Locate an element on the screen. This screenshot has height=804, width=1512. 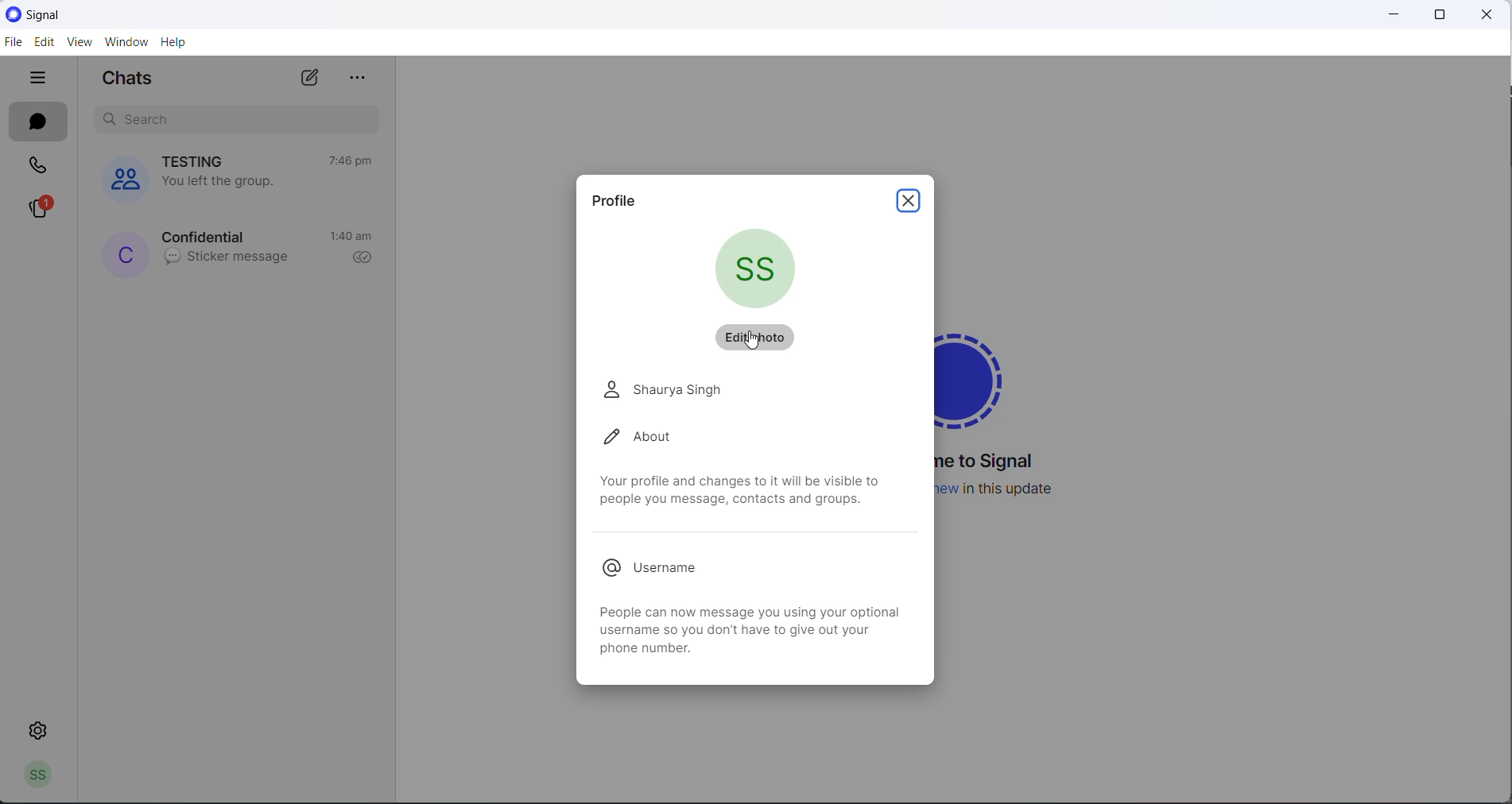
stories is located at coordinates (38, 210).